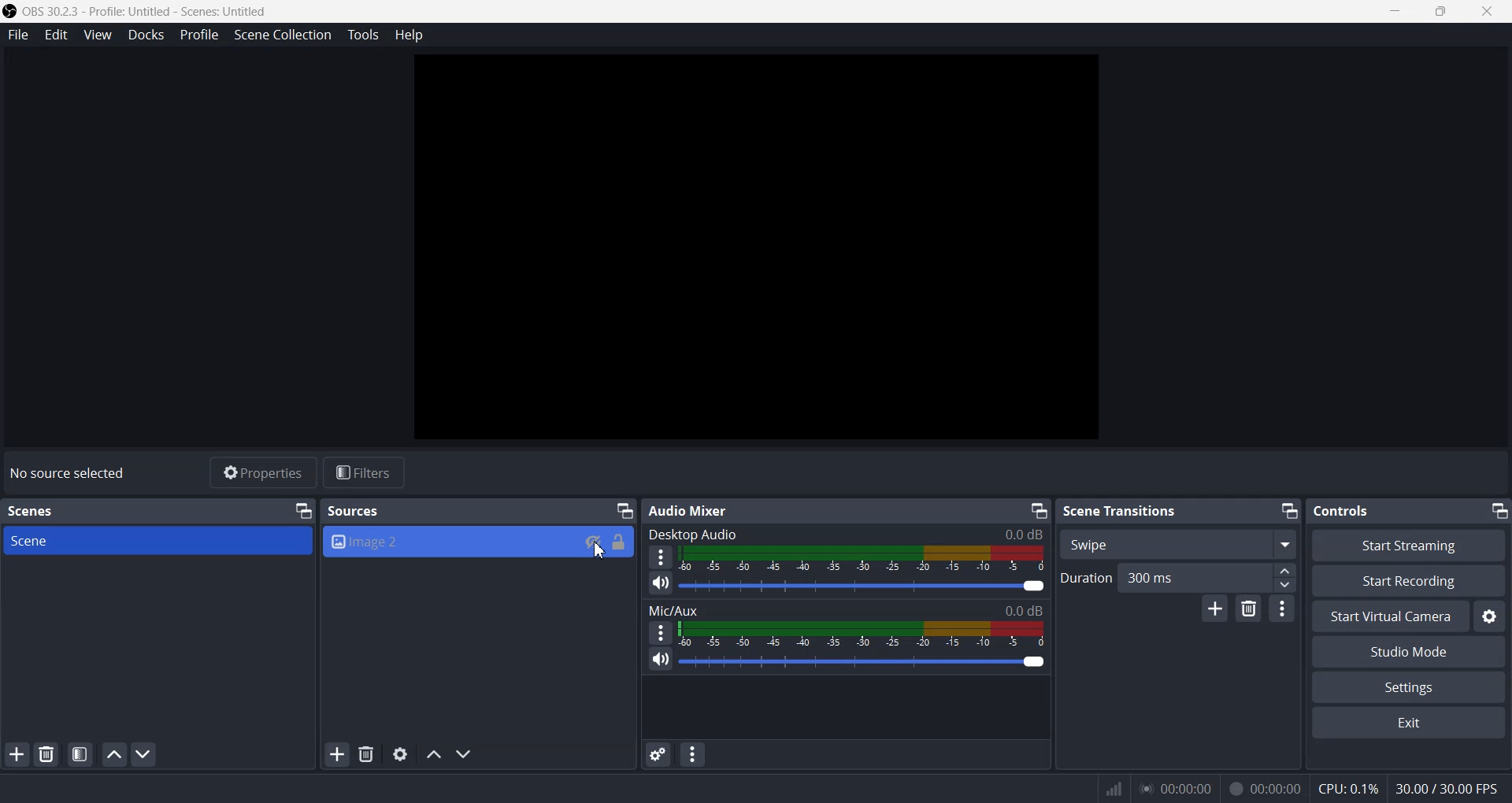  Describe the element at coordinates (363, 35) in the screenshot. I see `Tools` at that location.